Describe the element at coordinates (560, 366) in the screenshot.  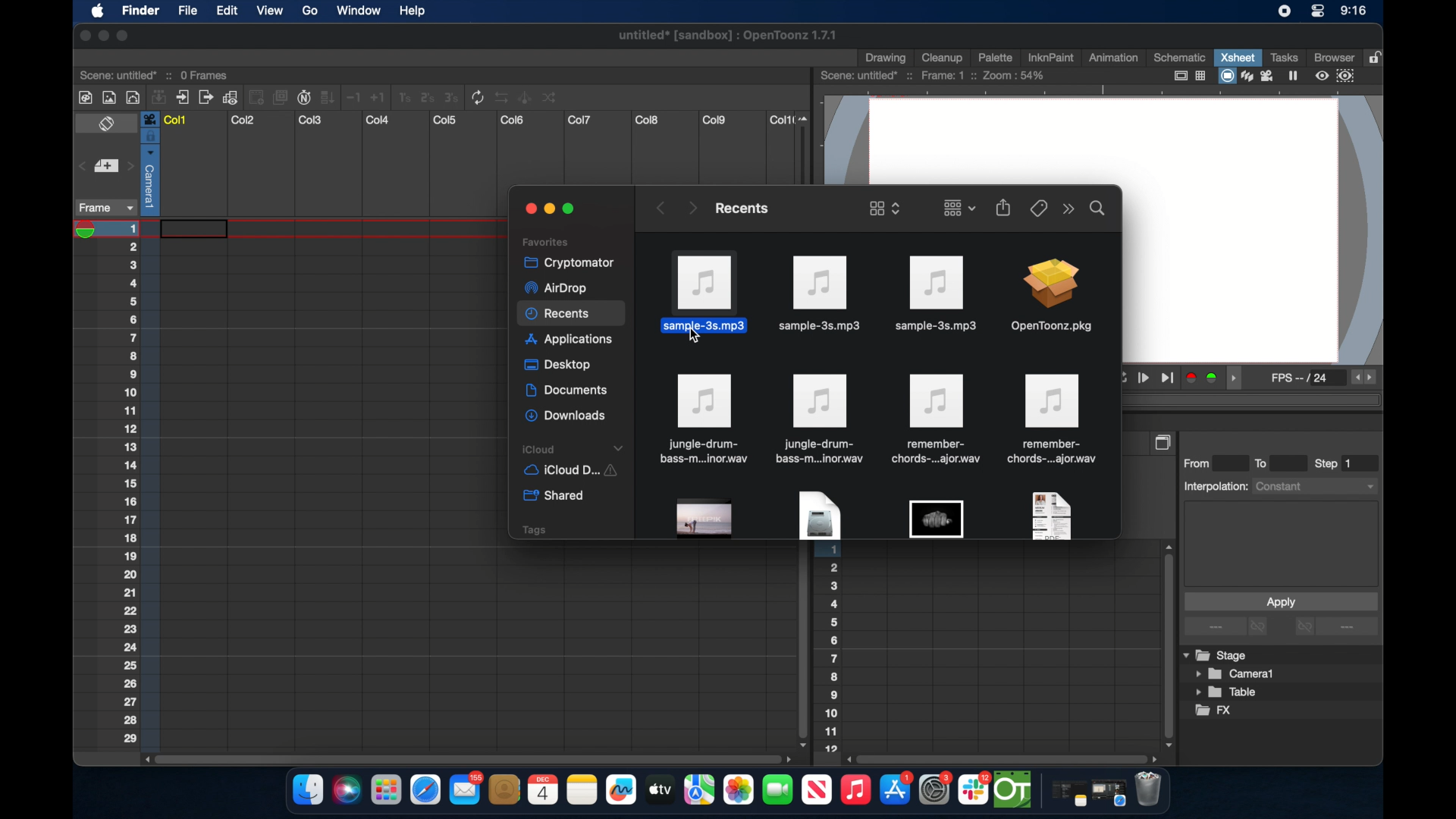
I see `desktop` at that location.